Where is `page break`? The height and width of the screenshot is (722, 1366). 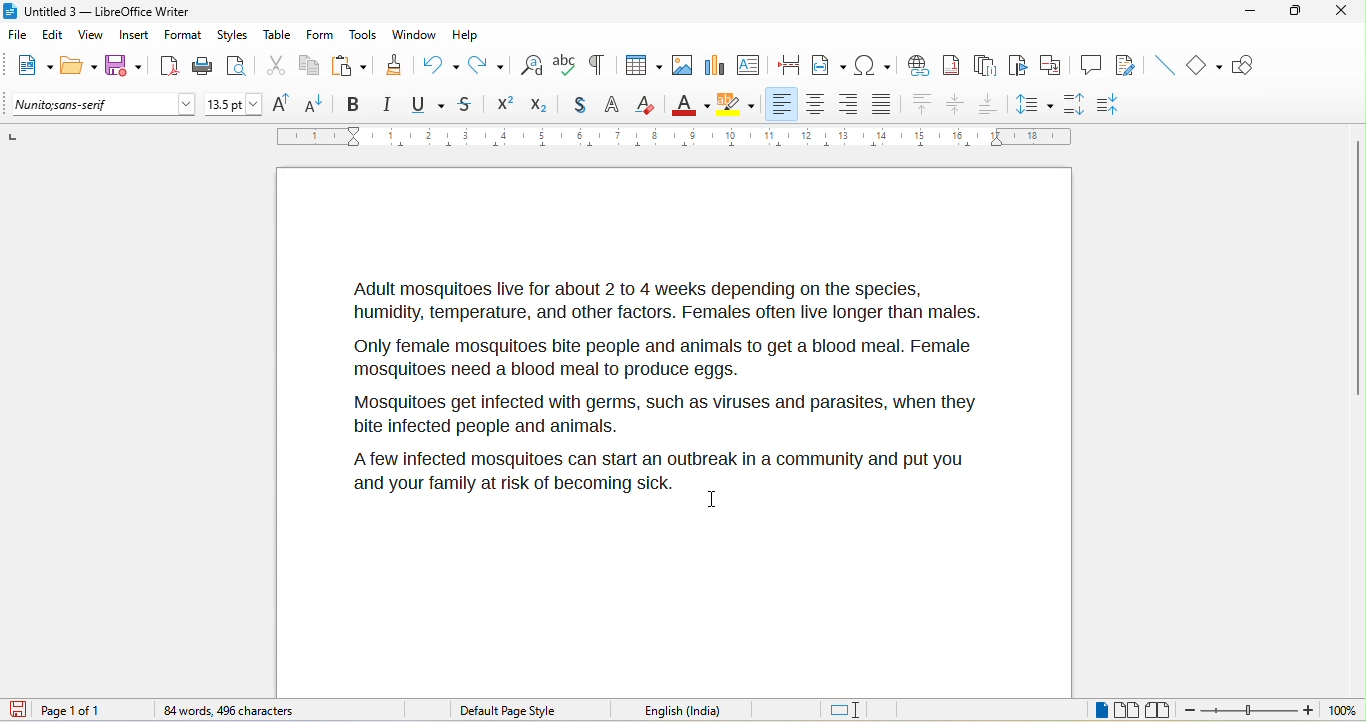
page break is located at coordinates (784, 63).